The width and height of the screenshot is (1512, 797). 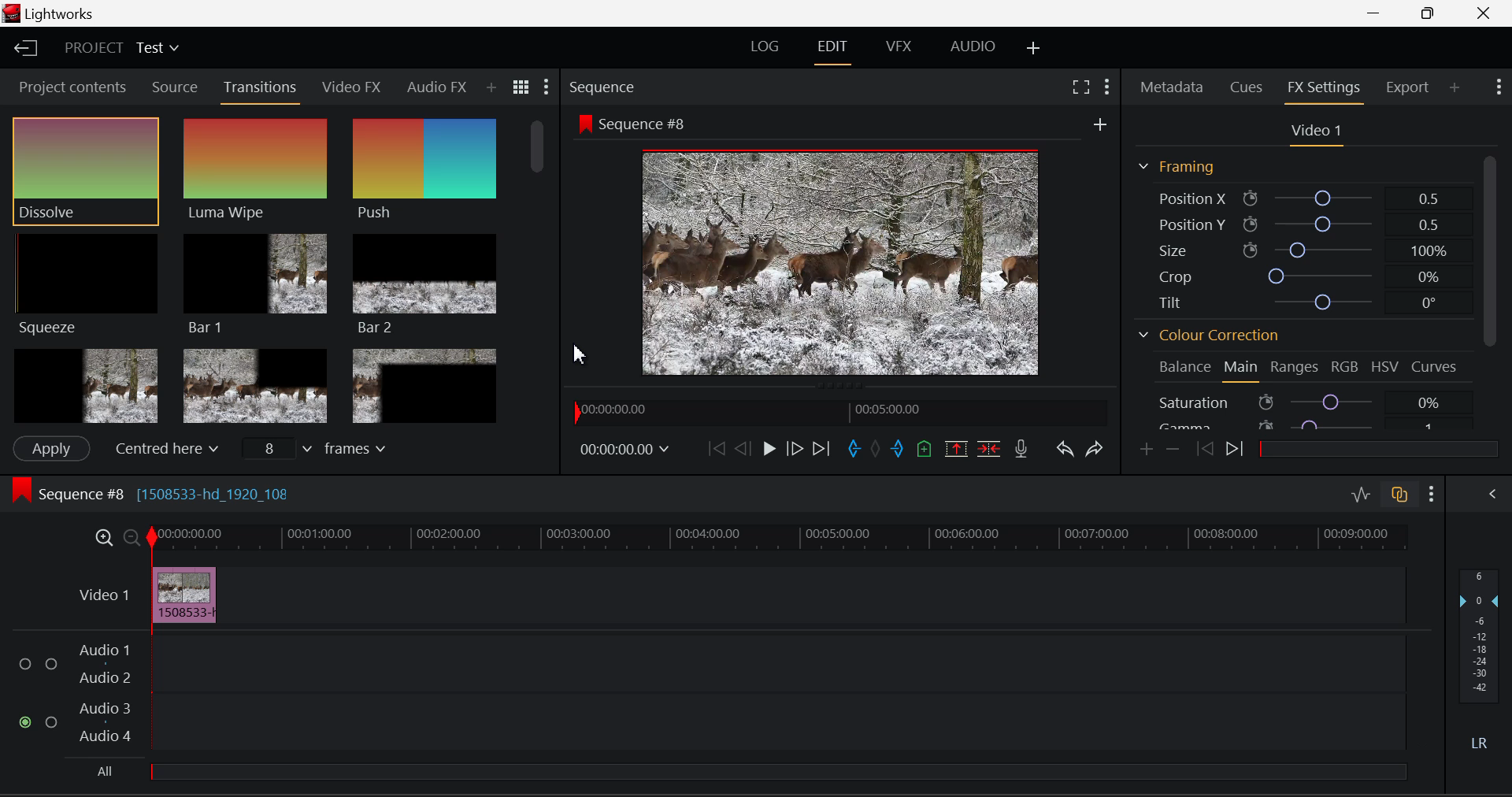 I want to click on LOG Layout, so click(x=769, y=46).